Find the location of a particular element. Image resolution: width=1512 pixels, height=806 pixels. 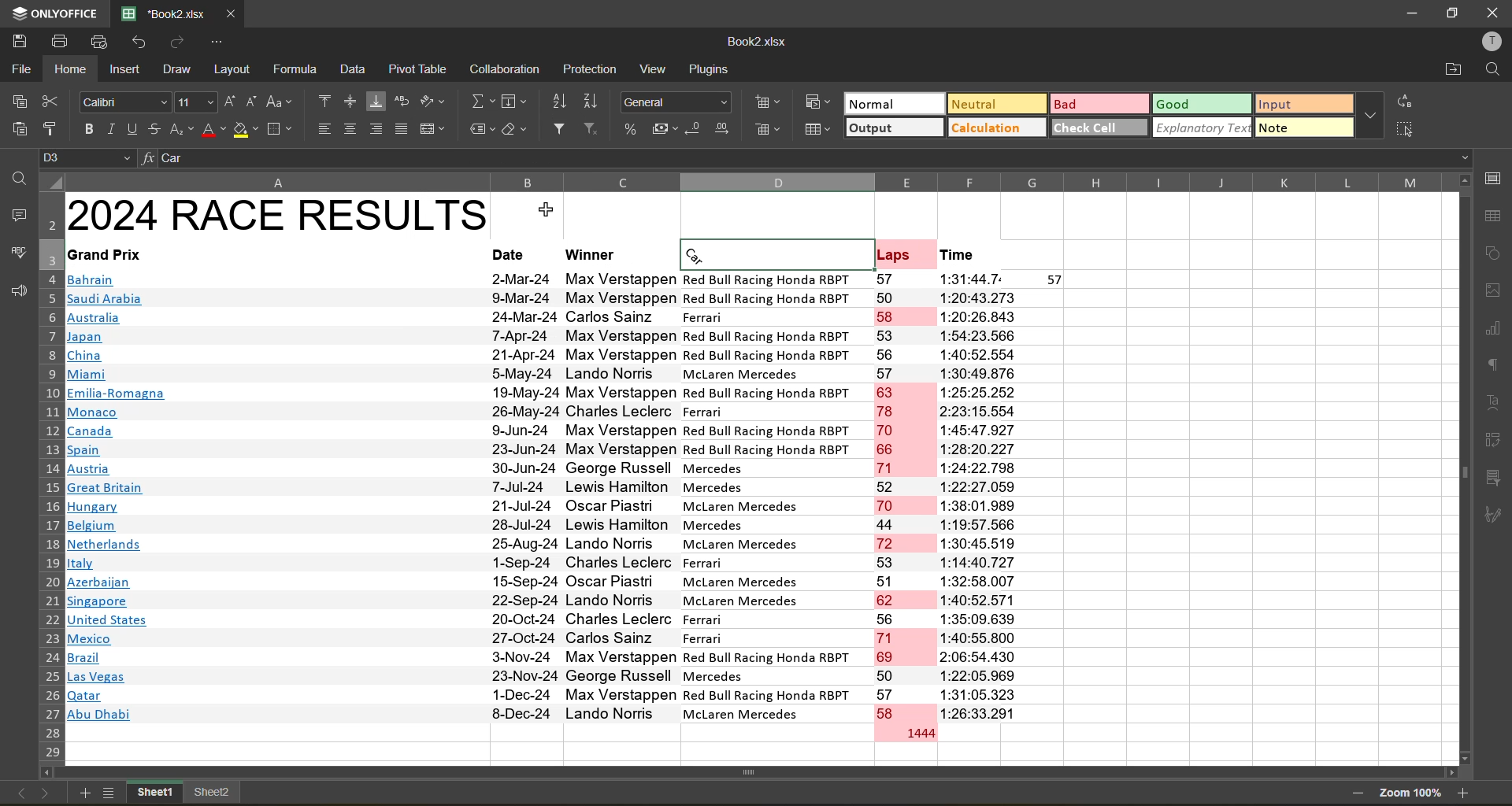

input is located at coordinates (1304, 104).